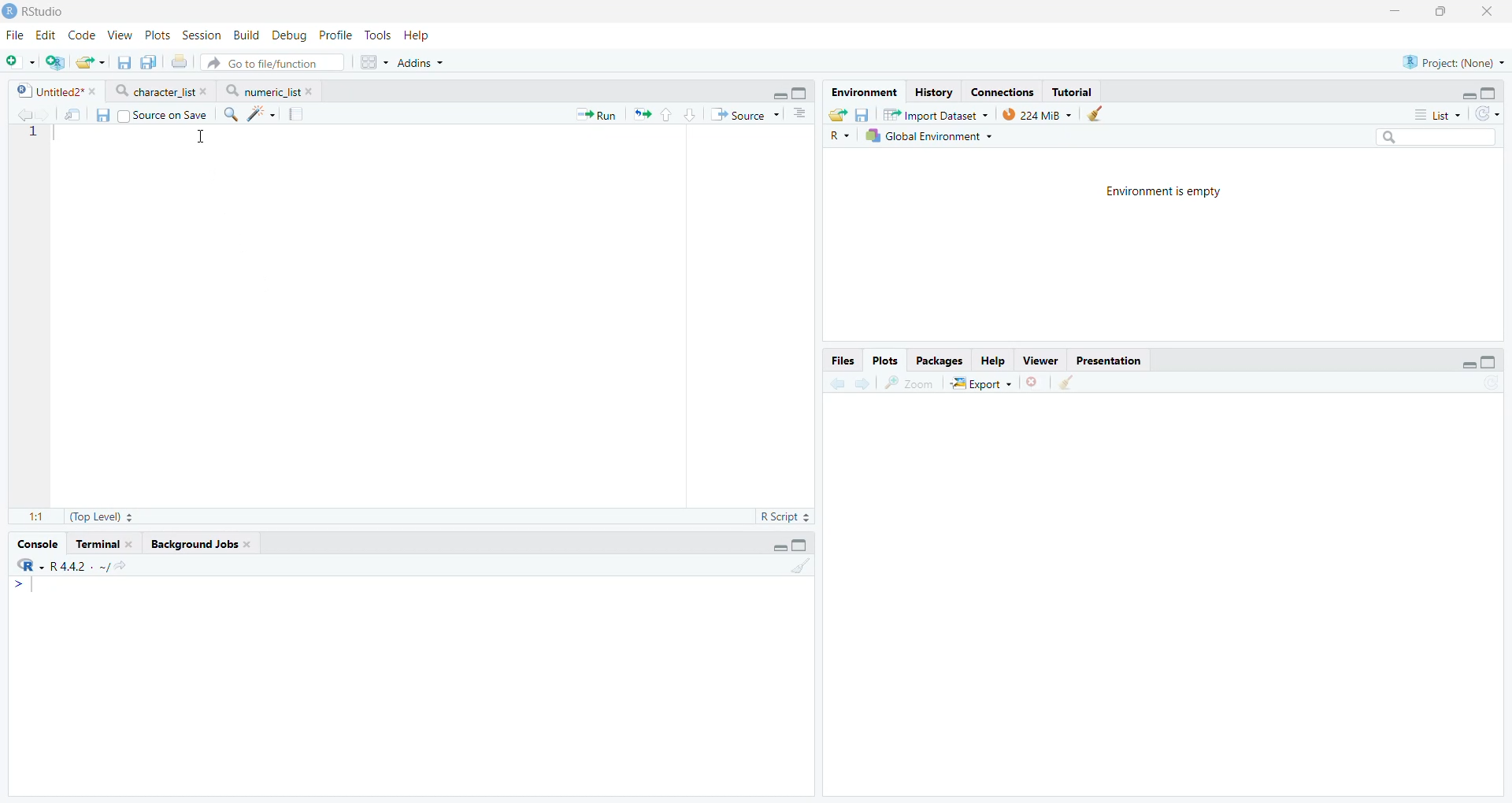 The height and width of the screenshot is (803, 1512). Describe the element at coordinates (35, 11) in the screenshot. I see `RStudio` at that location.